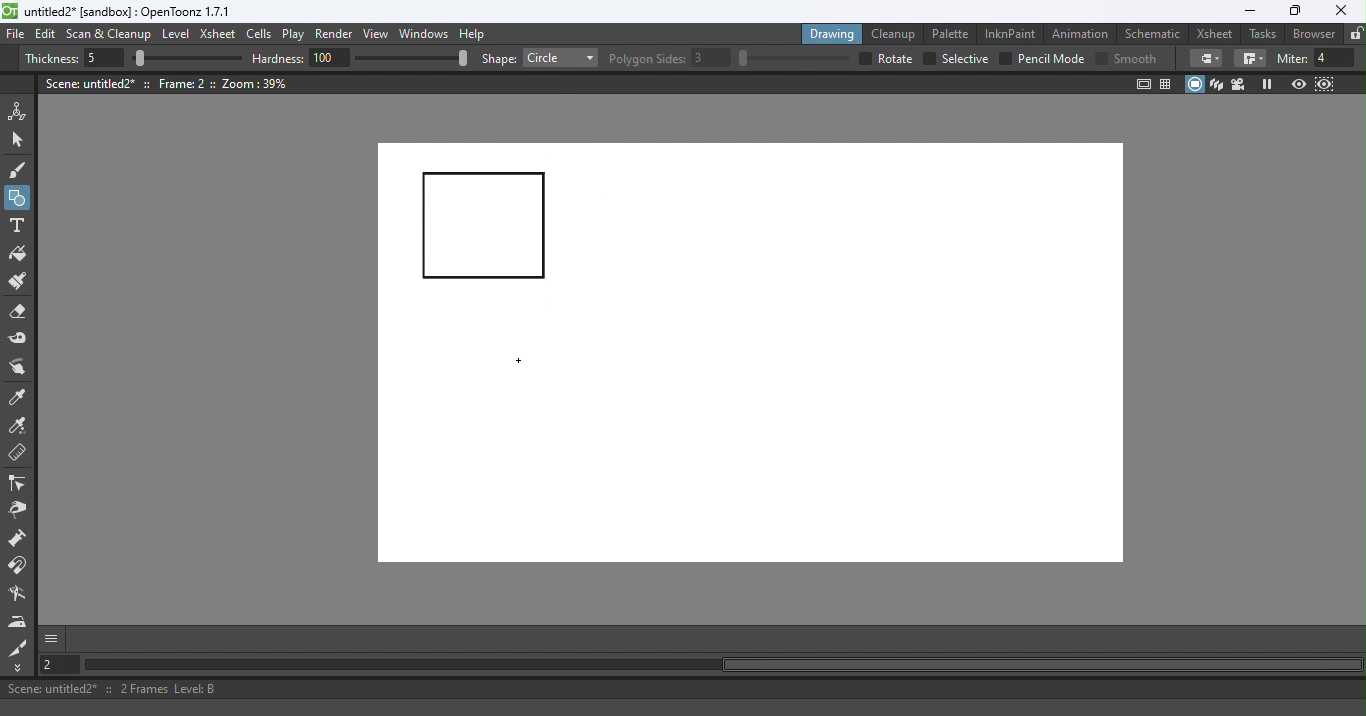  I want to click on Polygon slides, so click(647, 59).